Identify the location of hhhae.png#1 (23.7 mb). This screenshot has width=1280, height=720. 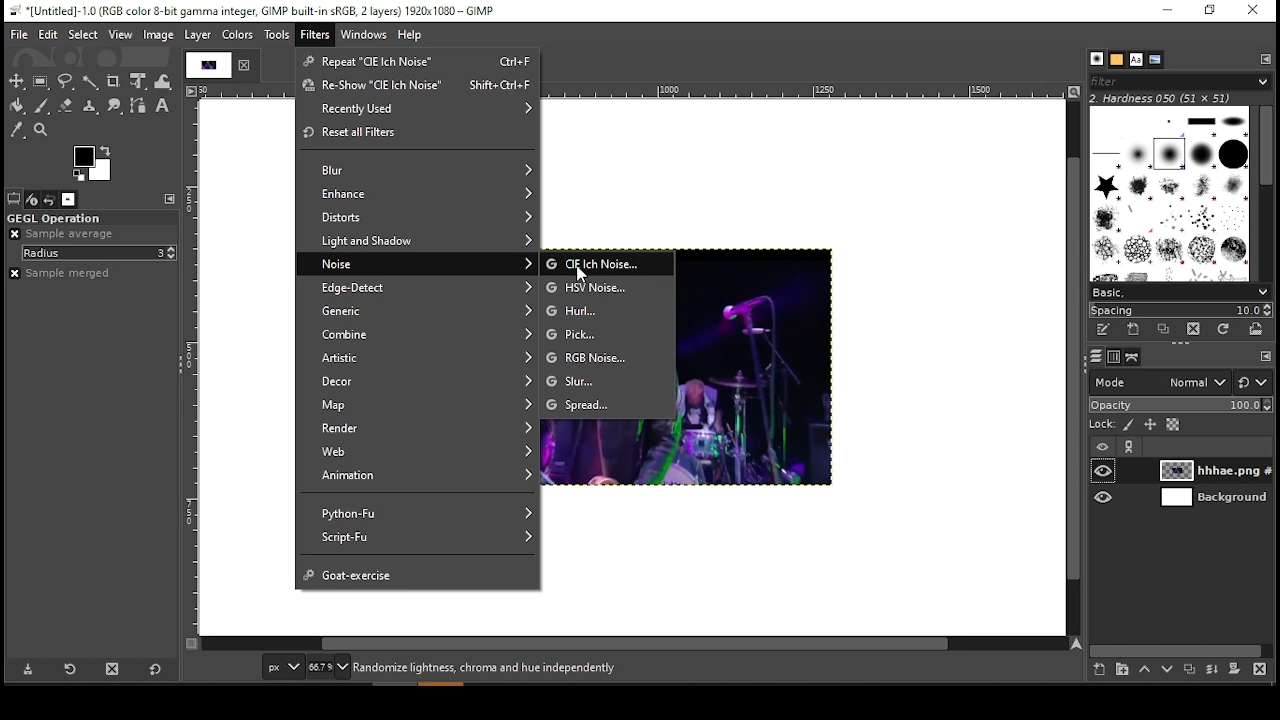
(487, 667).